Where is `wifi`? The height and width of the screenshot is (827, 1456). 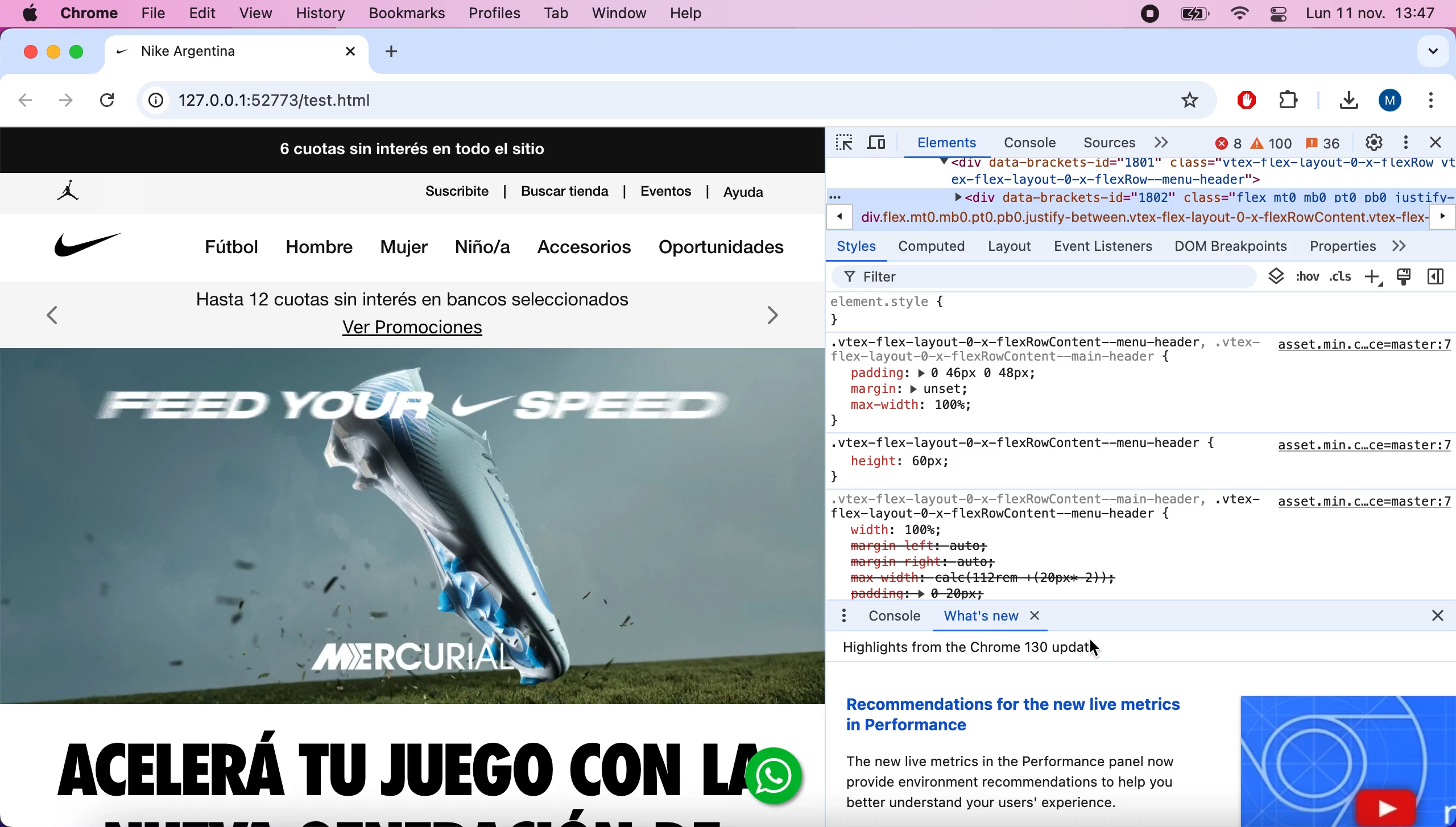
wifi is located at coordinates (1239, 16).